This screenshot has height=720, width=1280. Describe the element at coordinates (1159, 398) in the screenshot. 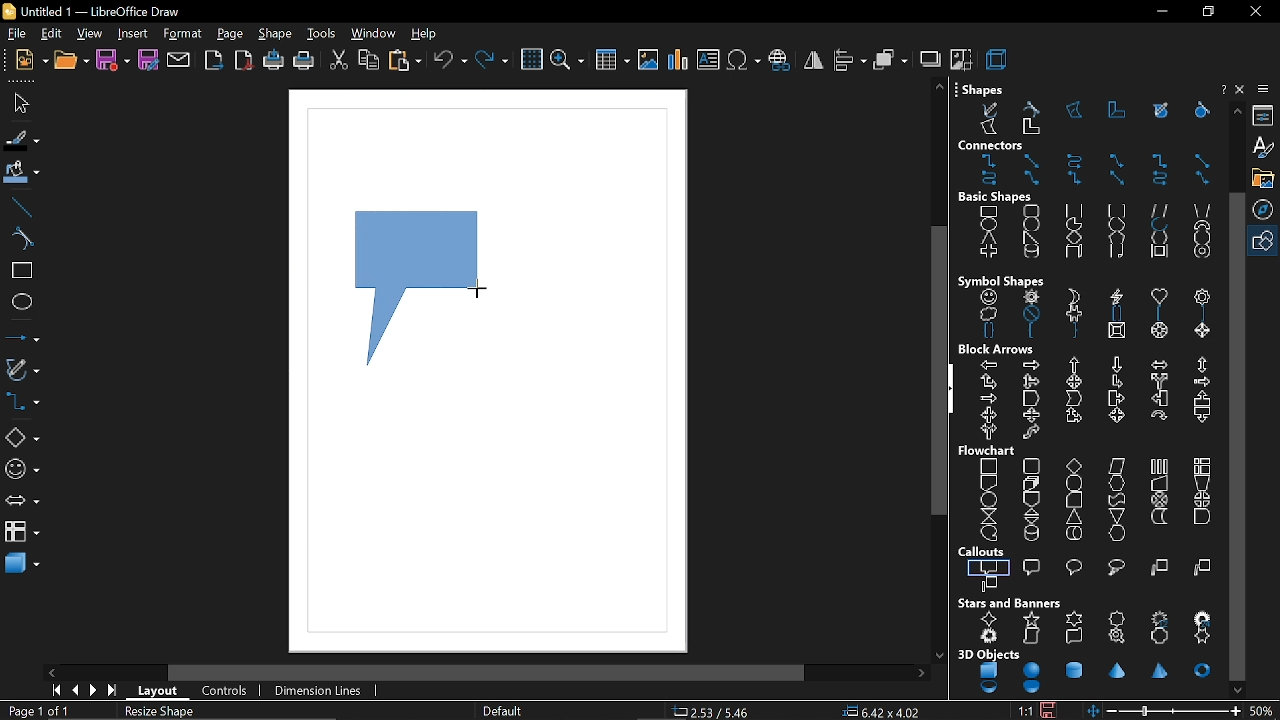

I see `left arrow callout` at that location.